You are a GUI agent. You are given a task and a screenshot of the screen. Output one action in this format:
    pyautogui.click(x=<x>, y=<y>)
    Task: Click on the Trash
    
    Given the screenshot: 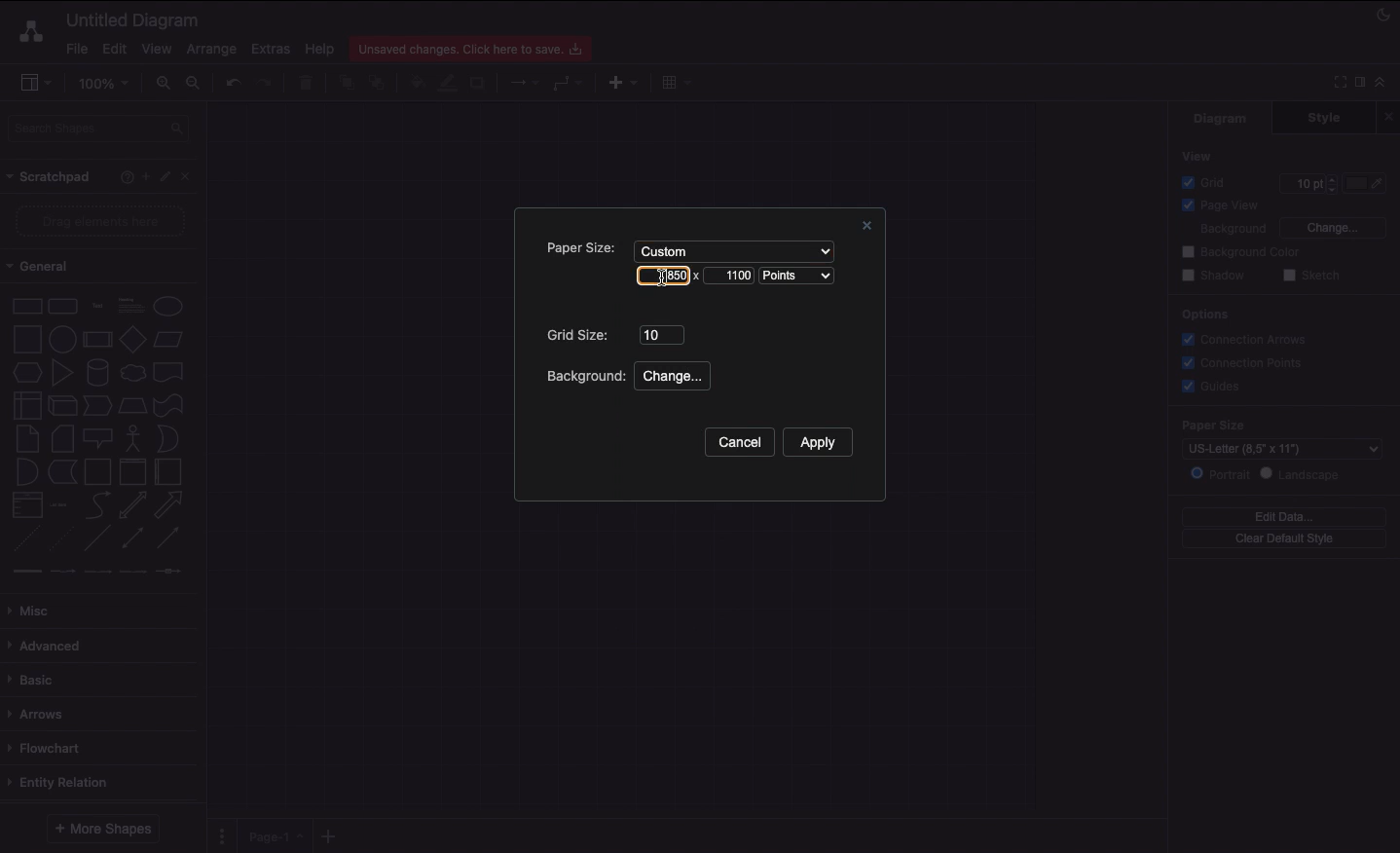 What is the action you would take?
    pyautogui.click(x=309, y=84)
    